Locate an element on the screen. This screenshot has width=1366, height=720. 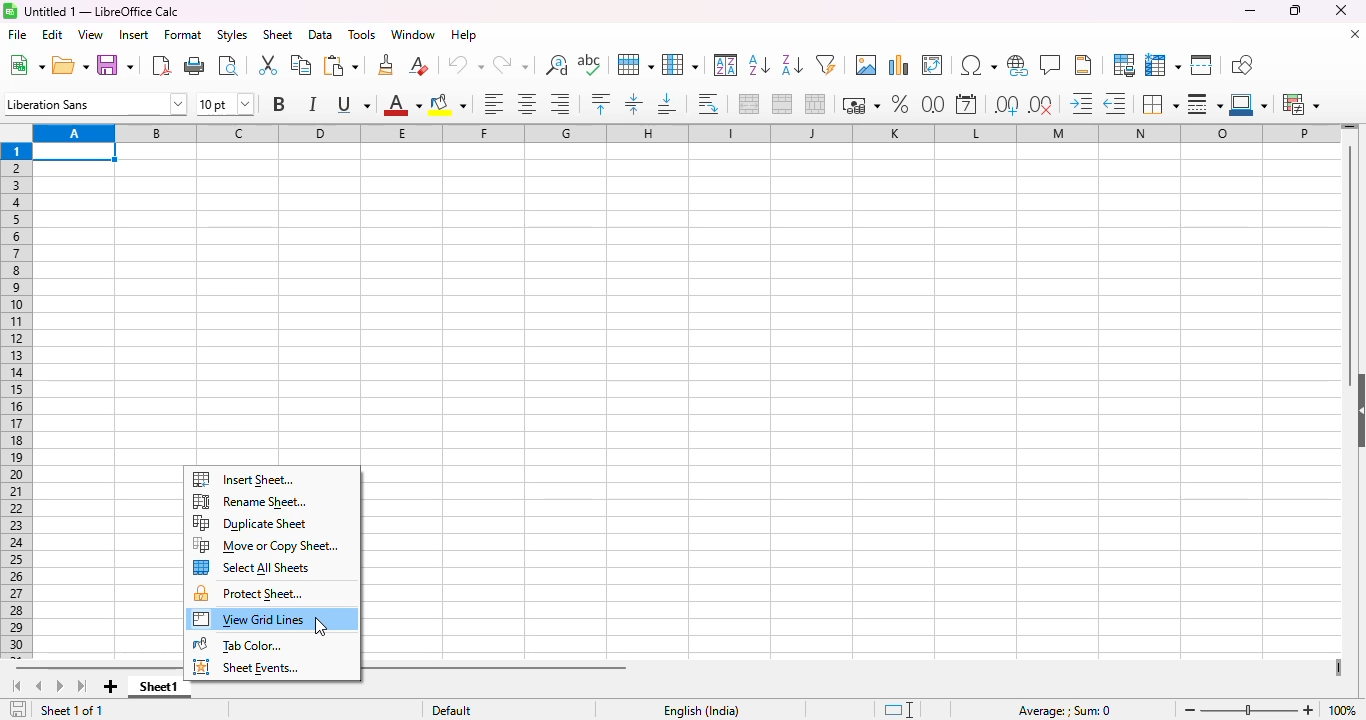
bold is located at coordinates (279, 103).